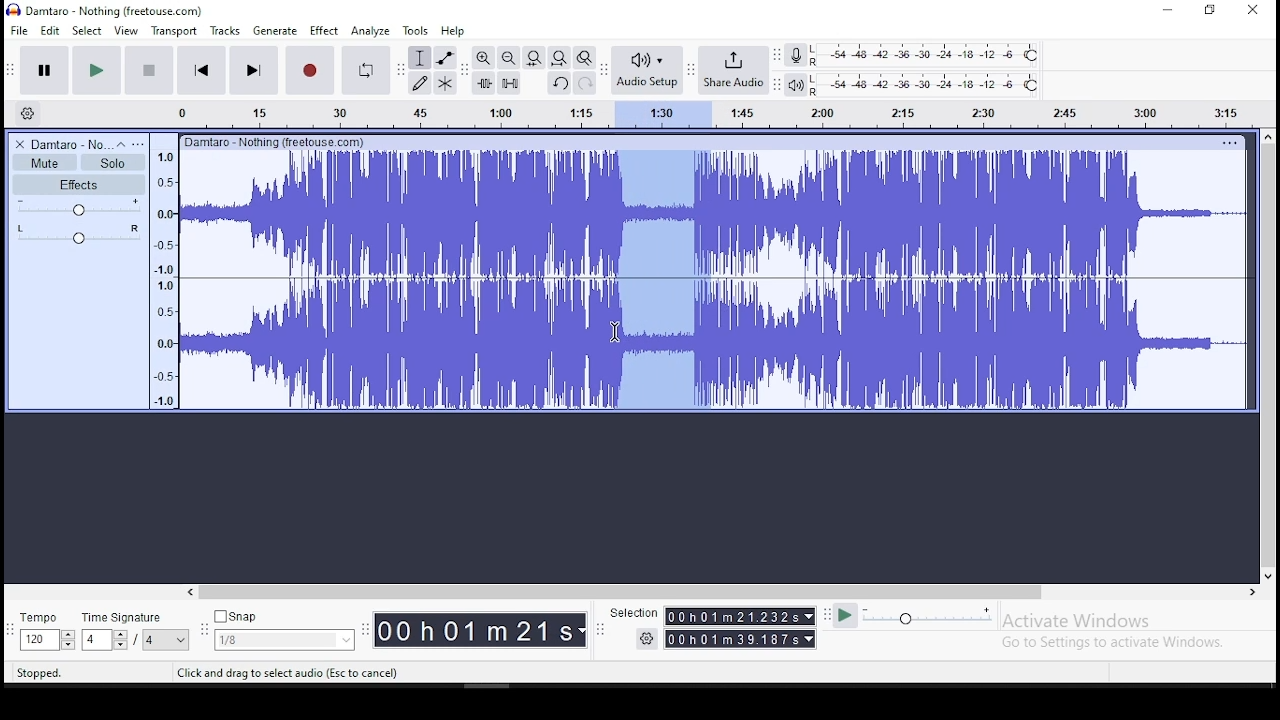 The height and width of the screenshot is (720, 1280). What do you see at coordinates (465, 69) in the screenshot?
I see `` at bounding box center [465, 69].